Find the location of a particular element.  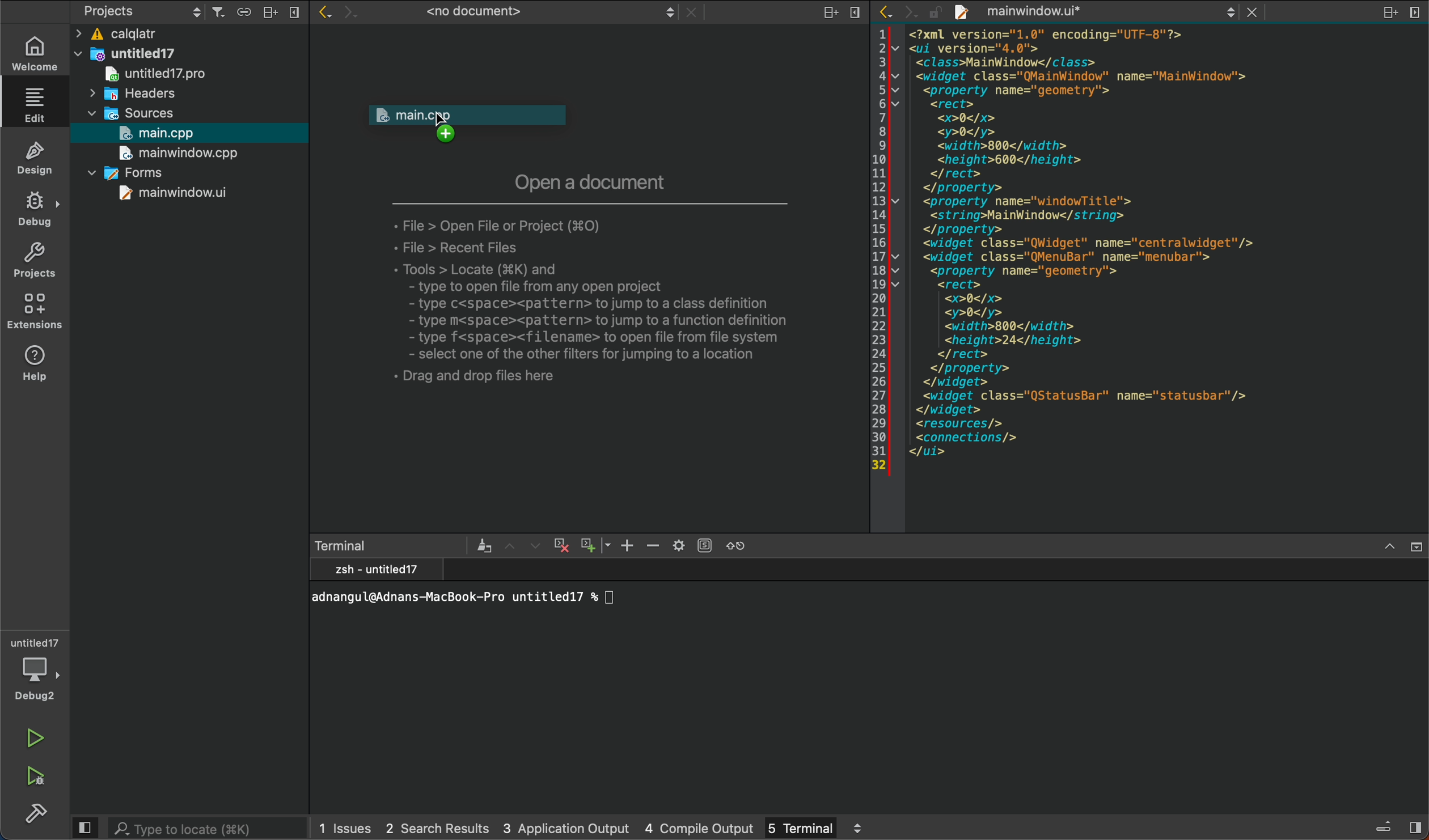

split is located at coordinates (832, 14).